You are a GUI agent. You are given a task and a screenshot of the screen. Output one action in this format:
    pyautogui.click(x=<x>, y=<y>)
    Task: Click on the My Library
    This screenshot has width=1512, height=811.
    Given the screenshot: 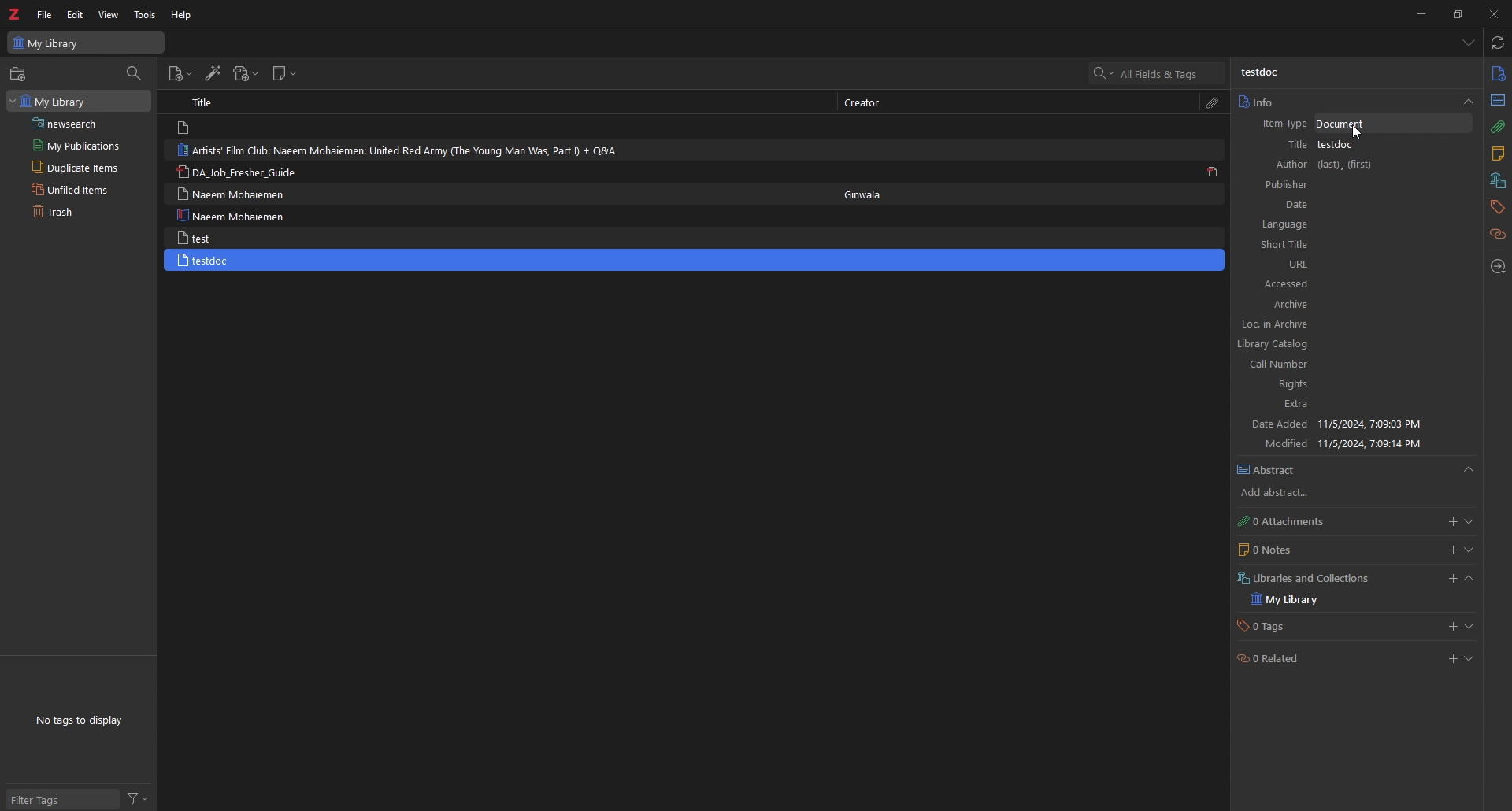 What is the action you would take?
    pyautogui.click(x=87, y=43)
    